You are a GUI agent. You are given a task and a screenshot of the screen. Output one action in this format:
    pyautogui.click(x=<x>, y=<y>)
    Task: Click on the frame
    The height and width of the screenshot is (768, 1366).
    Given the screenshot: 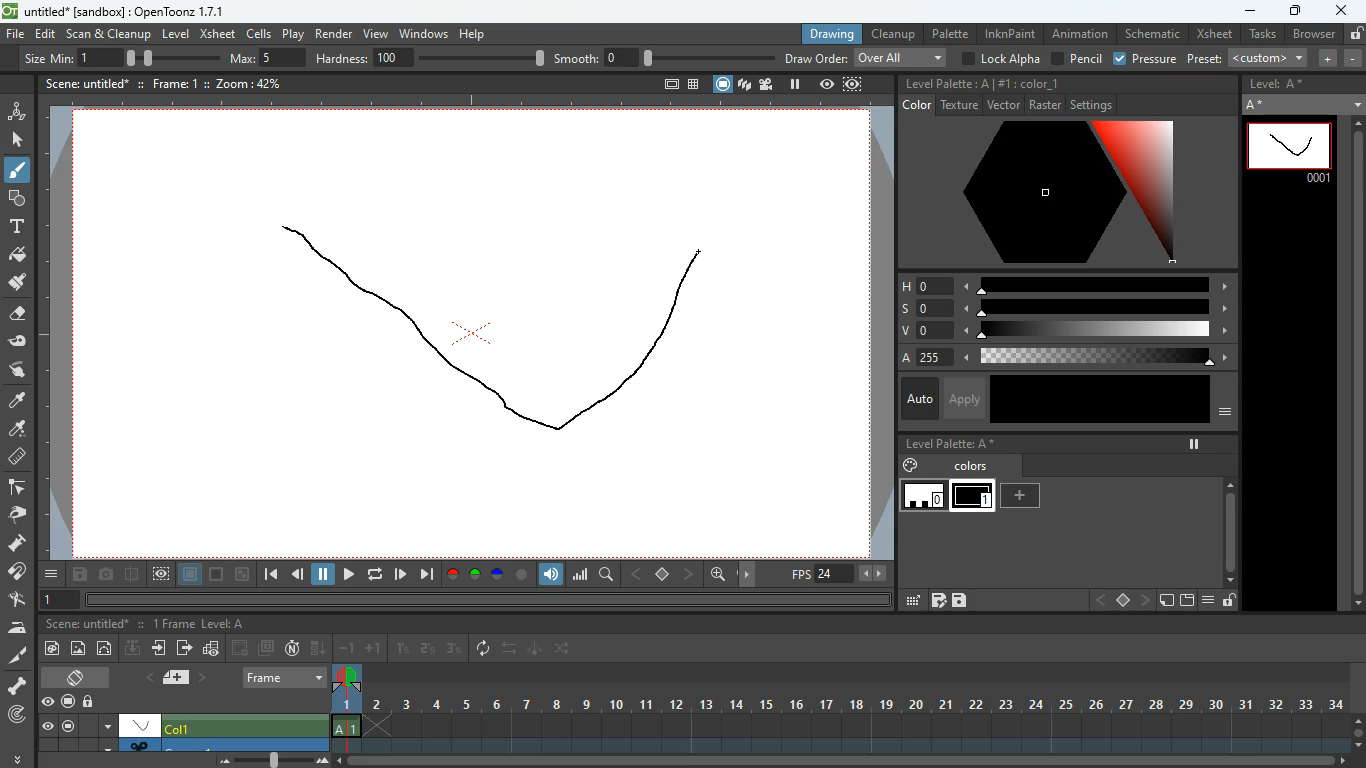 What is the action you would take?
    pyautogui.click(x=56, y=601)
    